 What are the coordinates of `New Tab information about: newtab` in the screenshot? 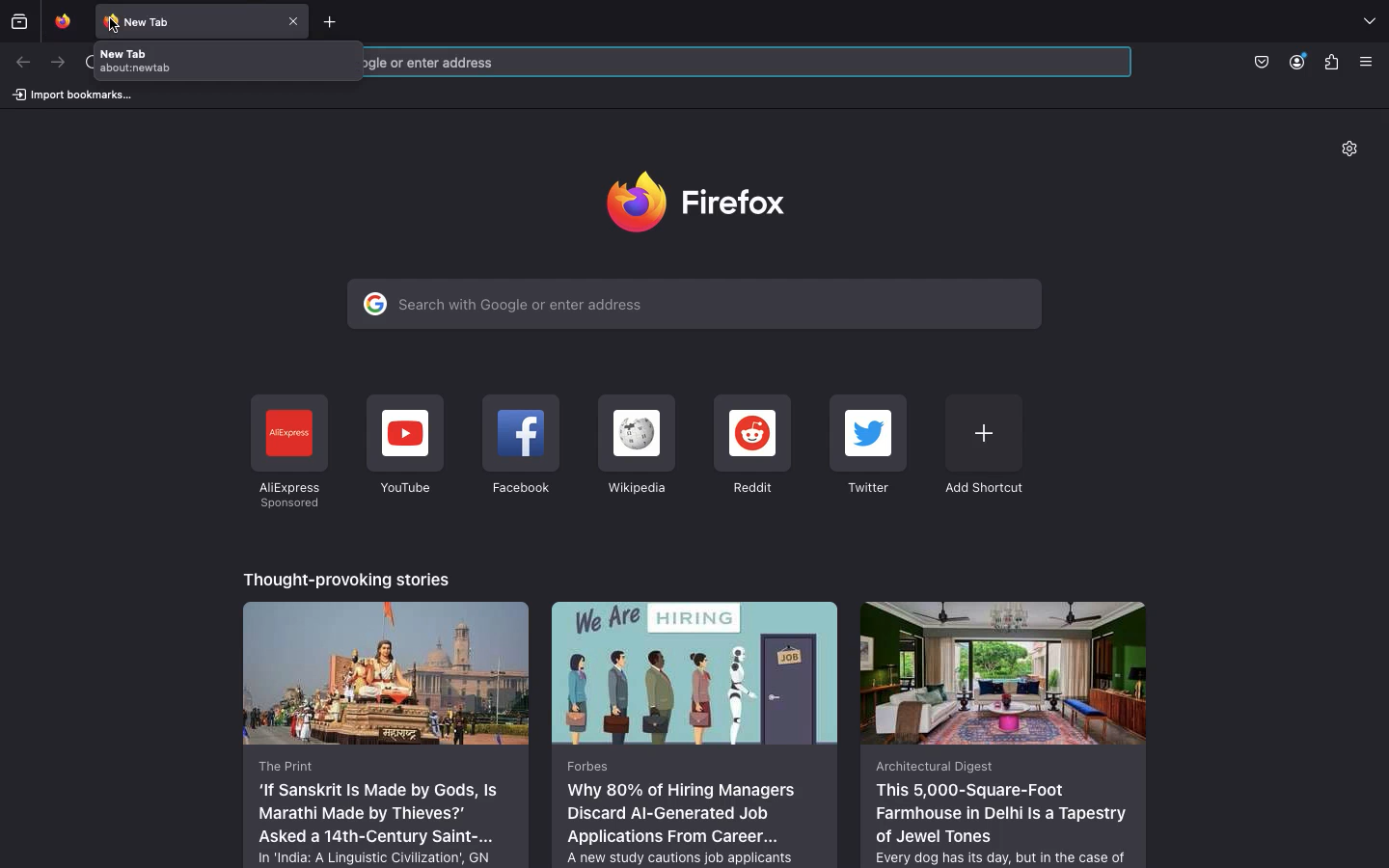 It's located at (226, 60).